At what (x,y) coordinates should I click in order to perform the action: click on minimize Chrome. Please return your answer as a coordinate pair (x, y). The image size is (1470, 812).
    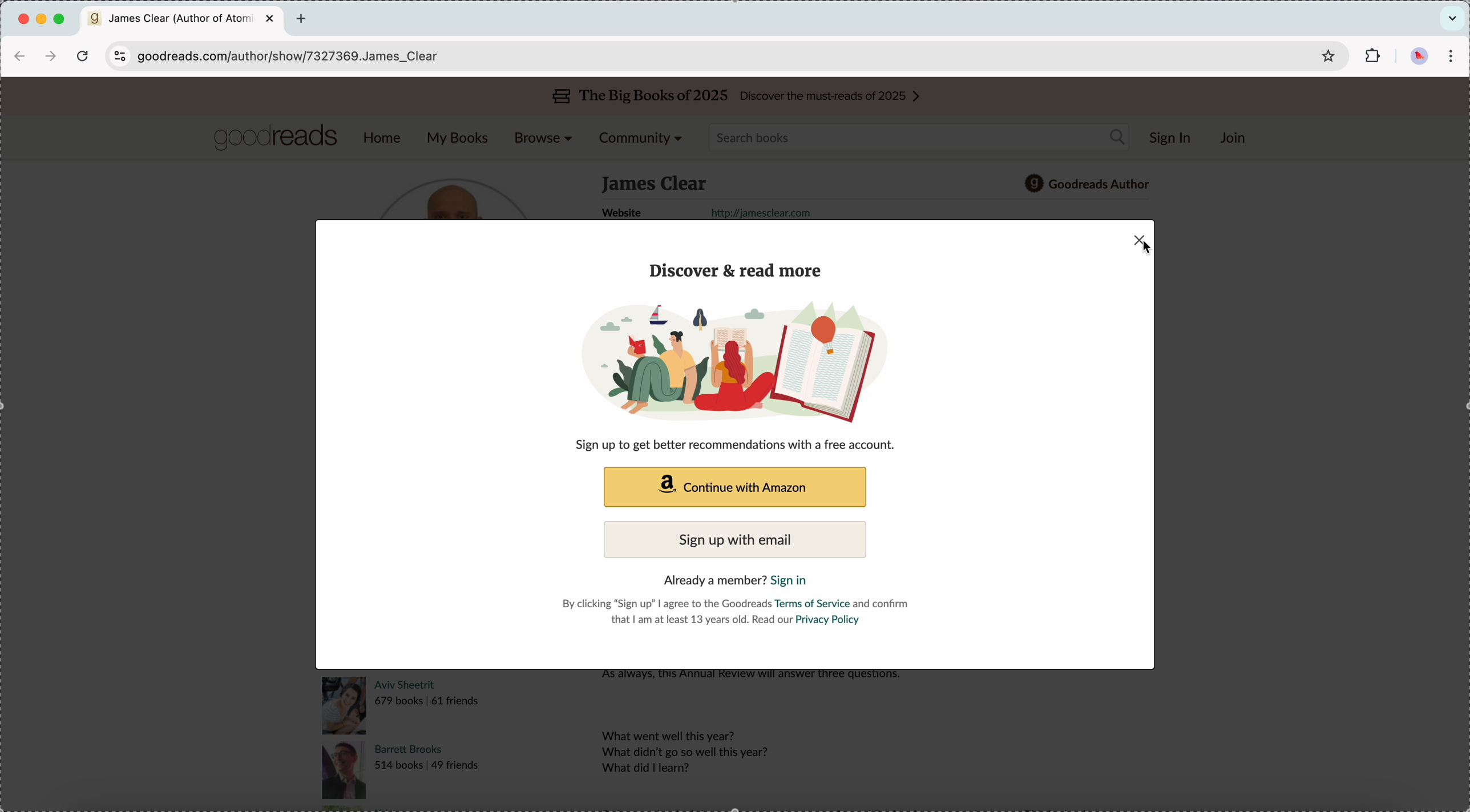
    Looking at the image, I should click on (43, 19).